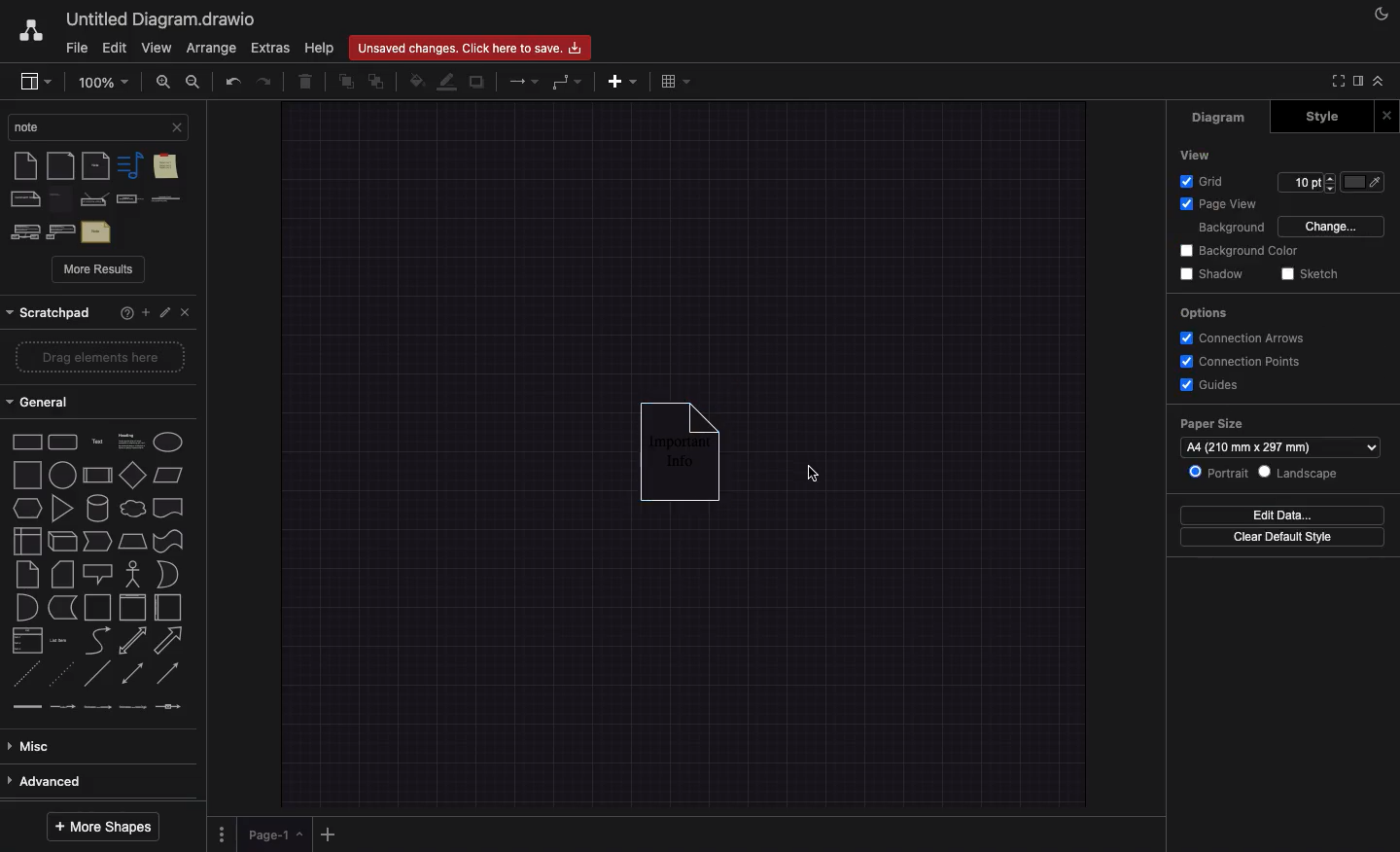 The width and height of the screenshot is (1400, 852). I want to click on cylinder, so click(99, 508).